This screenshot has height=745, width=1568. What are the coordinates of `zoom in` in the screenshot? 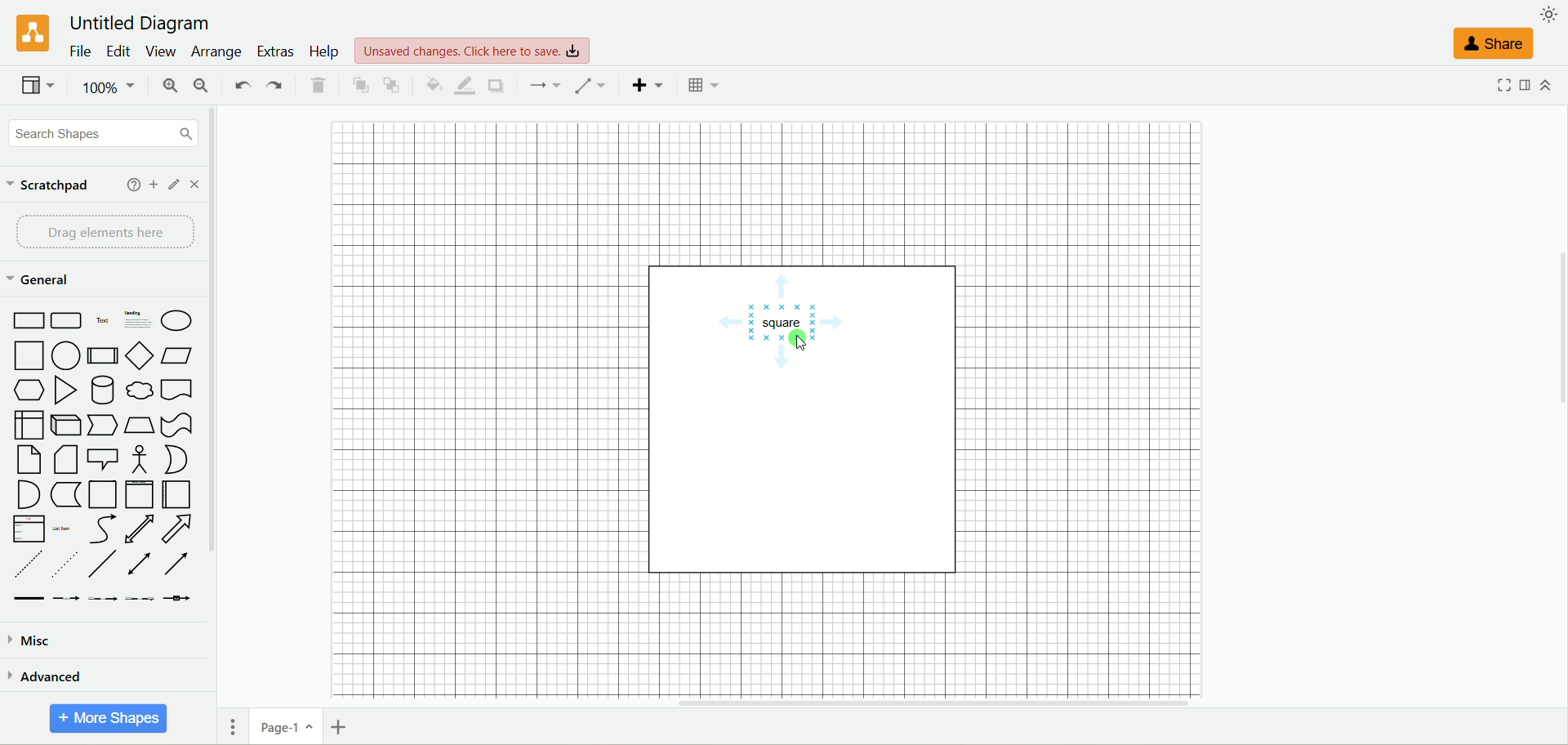 It's located at (168, 85).